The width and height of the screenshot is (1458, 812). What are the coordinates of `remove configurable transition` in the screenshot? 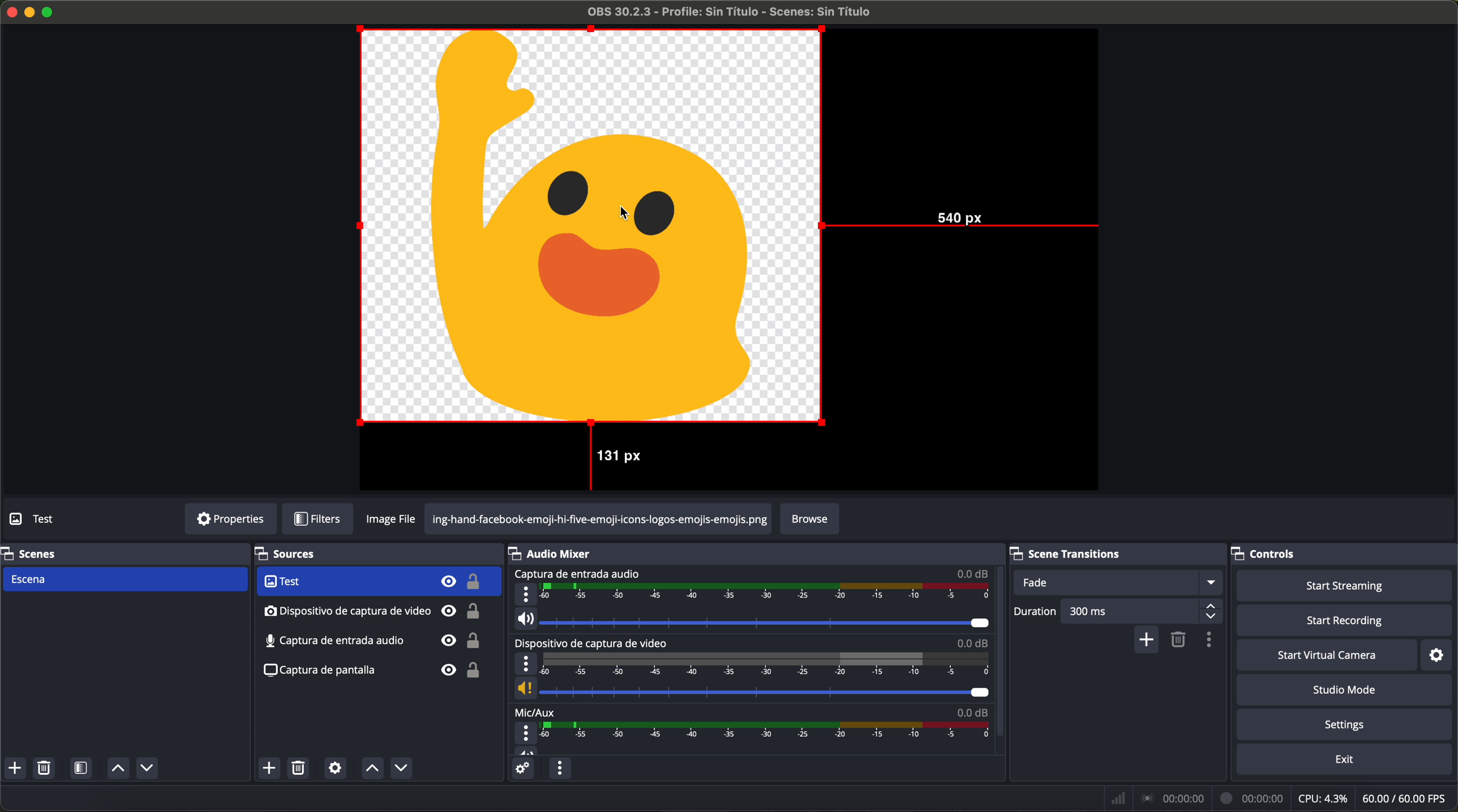 It's located at (1180, 641).